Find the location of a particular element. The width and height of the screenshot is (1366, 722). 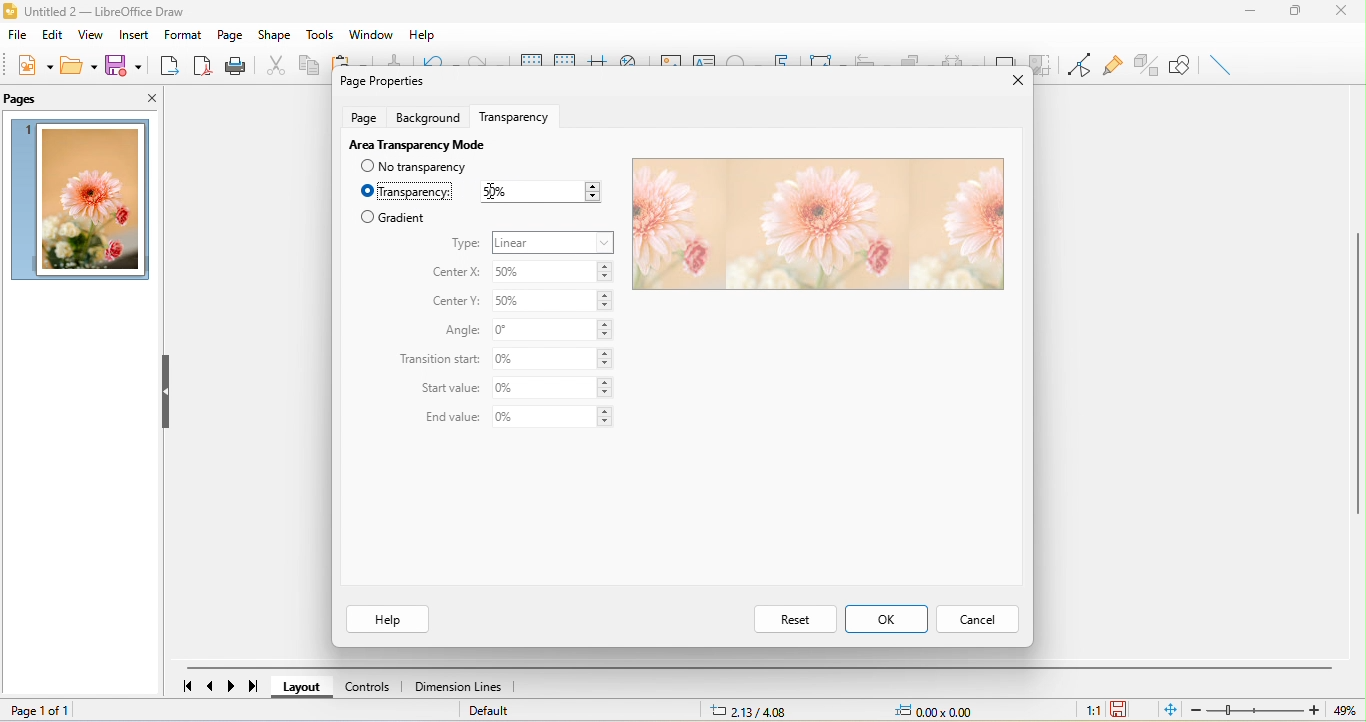

zoom is located at coordinates (1271, 710).